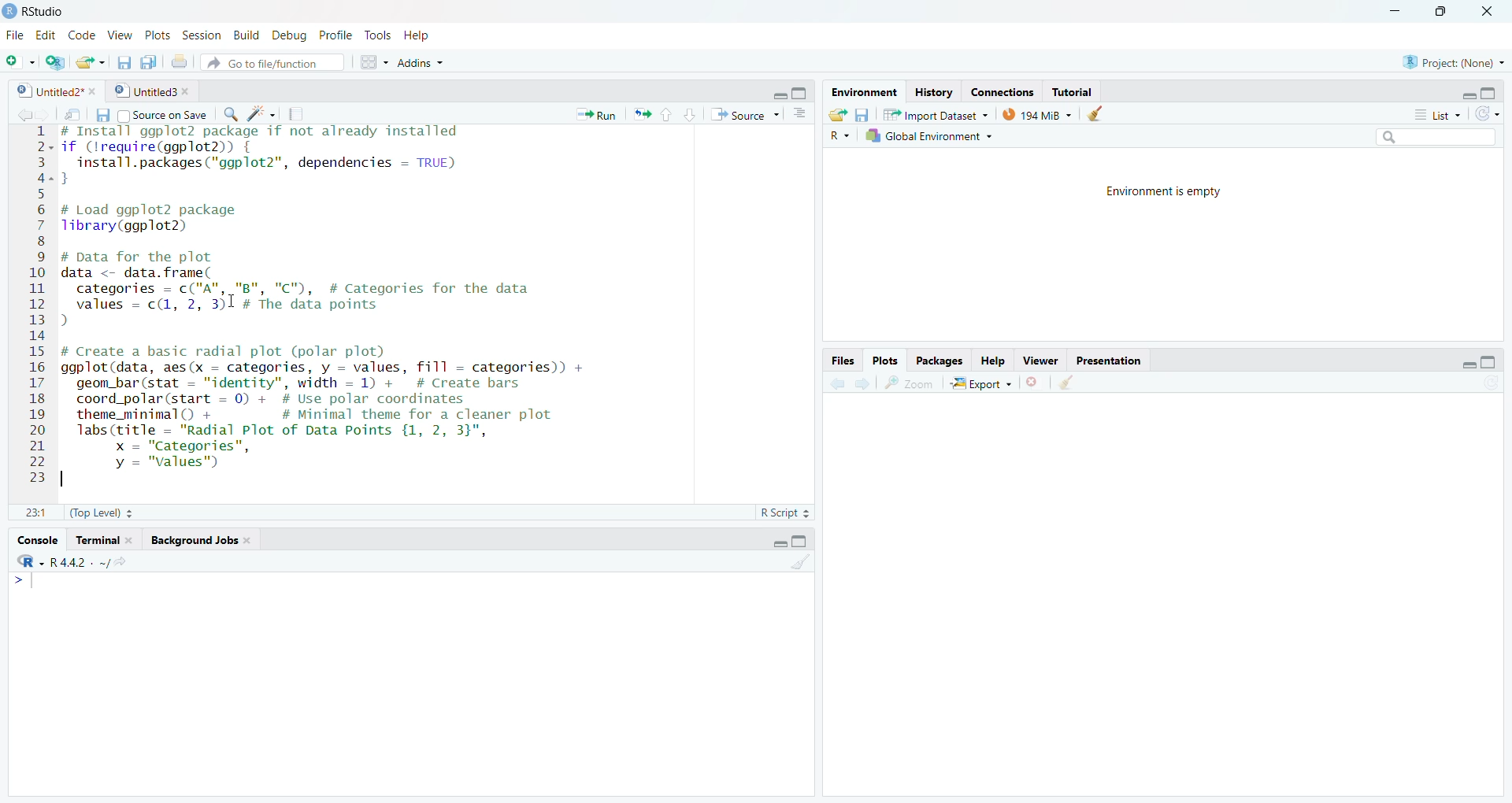  I want to click on Environment, so click(862, 91).